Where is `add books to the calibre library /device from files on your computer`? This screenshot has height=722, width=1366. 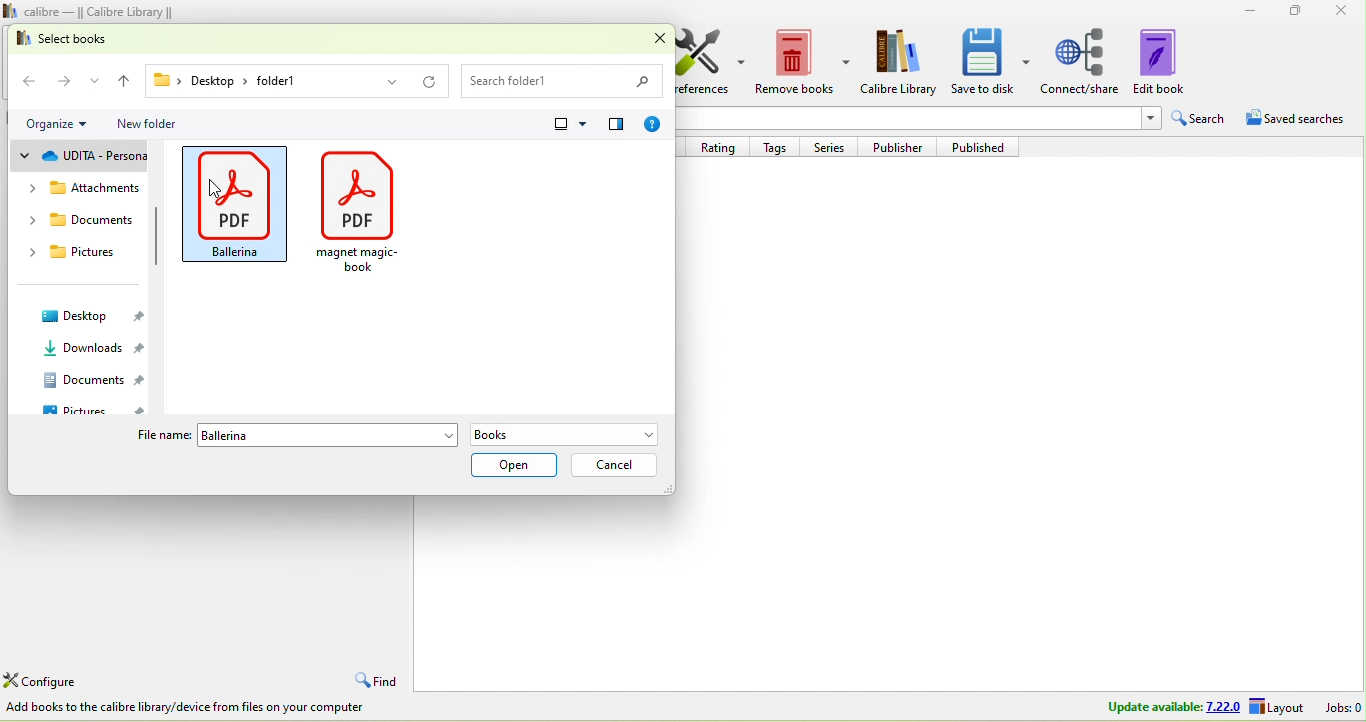
add books to the calibre library /device from files on your computer is located at coordinates (192, 707).